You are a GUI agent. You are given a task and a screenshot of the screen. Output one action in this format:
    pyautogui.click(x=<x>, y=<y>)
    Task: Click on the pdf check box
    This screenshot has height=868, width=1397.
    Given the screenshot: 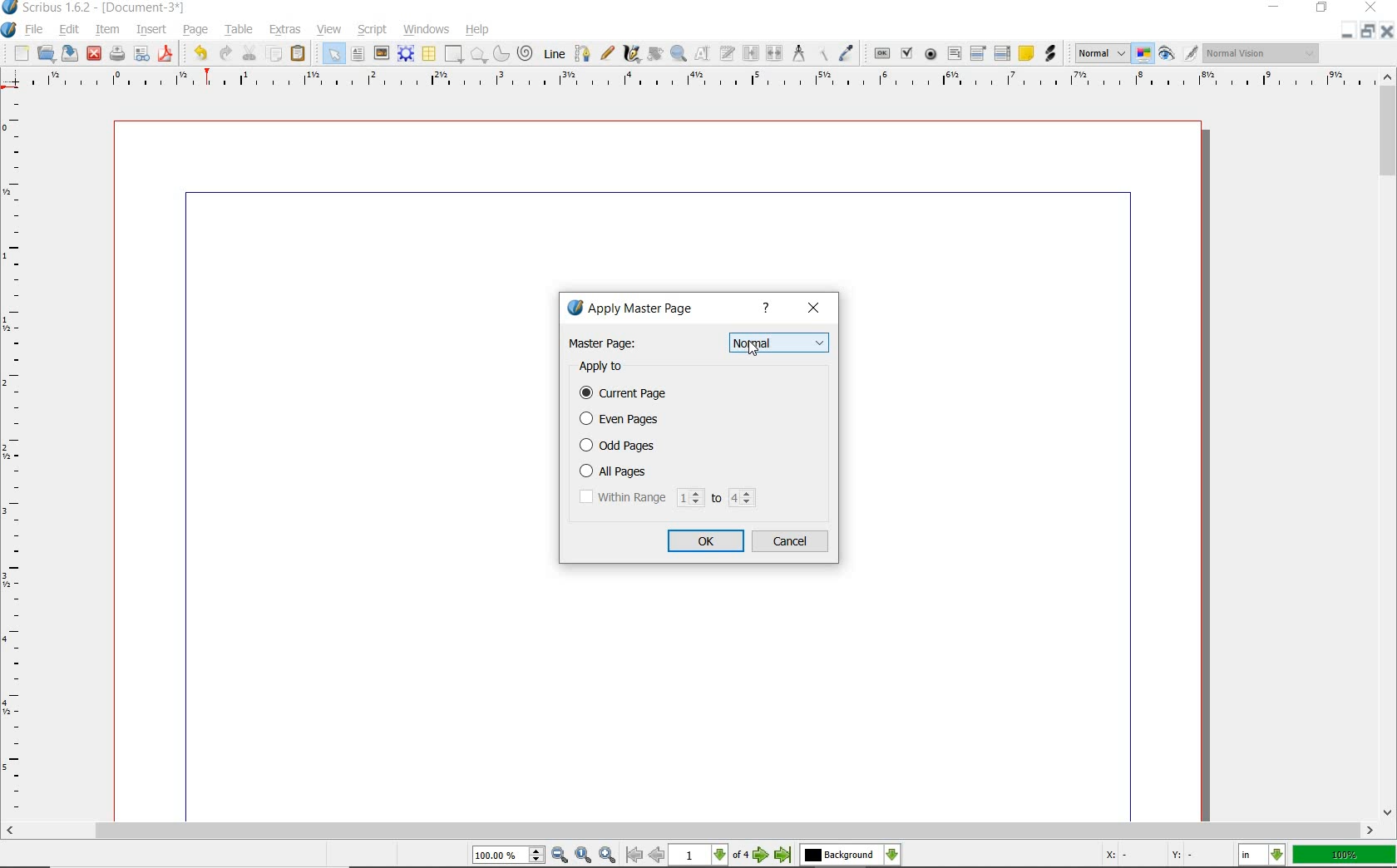 What is the action you would take?
    pyautogui.click(x=906, y=52)
    